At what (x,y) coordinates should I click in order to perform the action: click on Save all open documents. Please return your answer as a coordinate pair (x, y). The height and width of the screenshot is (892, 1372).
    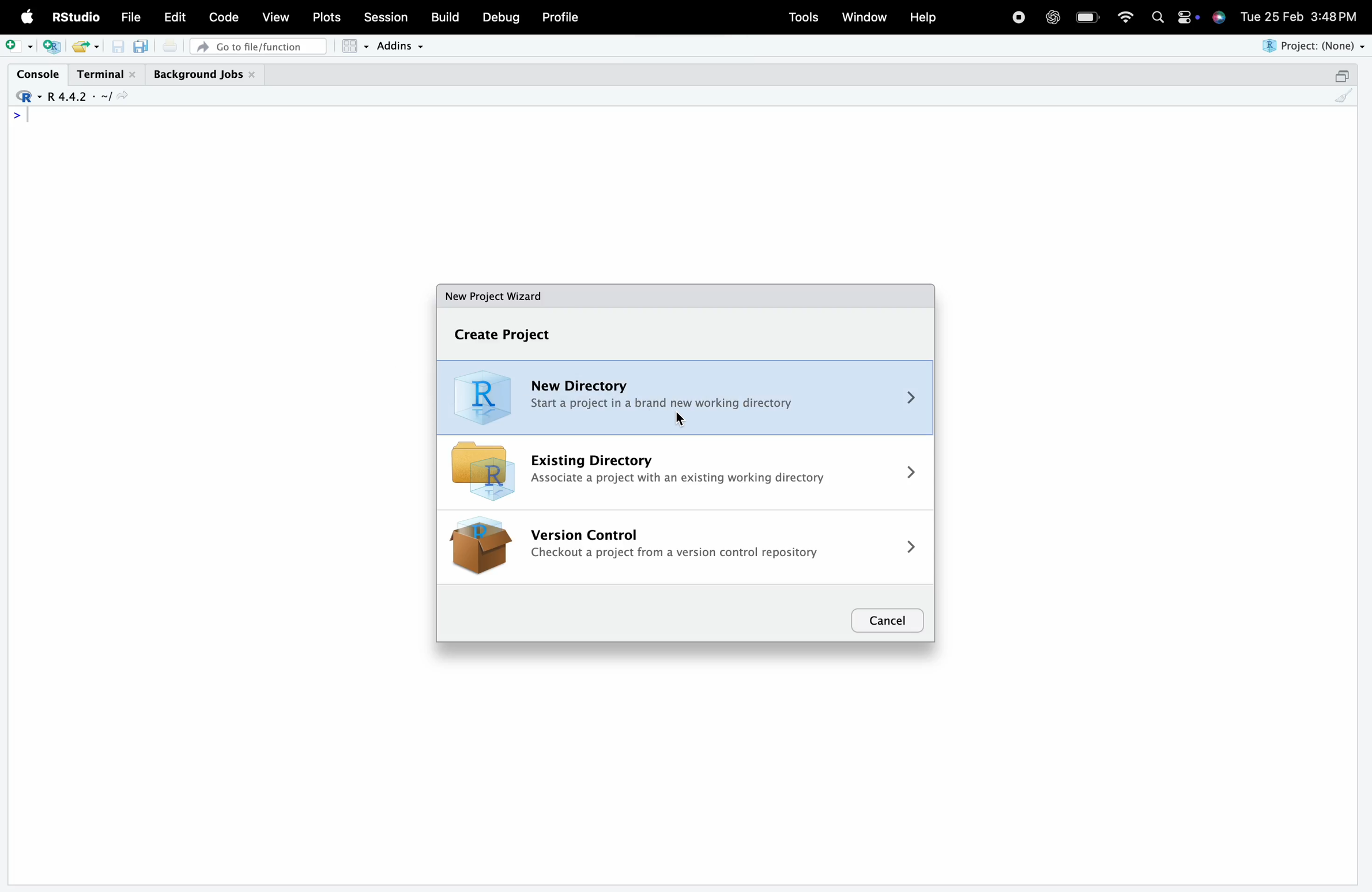
    Looking at the image, I should click on (142, 46).